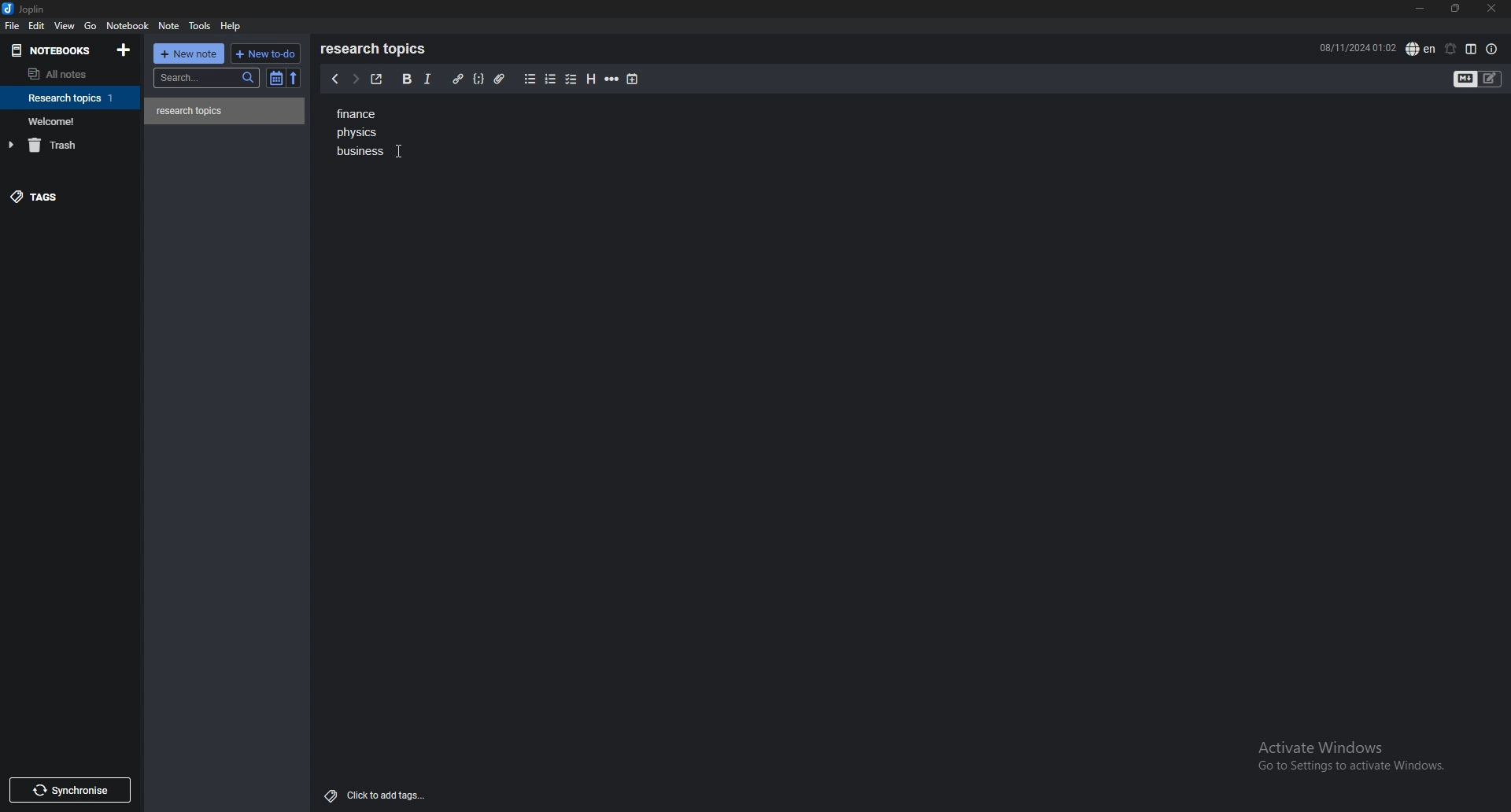 The height and width of the screenshot is (812, 1511). Describe the element at coordinates (225, 111) in the screenshot. I see `note` at that location.